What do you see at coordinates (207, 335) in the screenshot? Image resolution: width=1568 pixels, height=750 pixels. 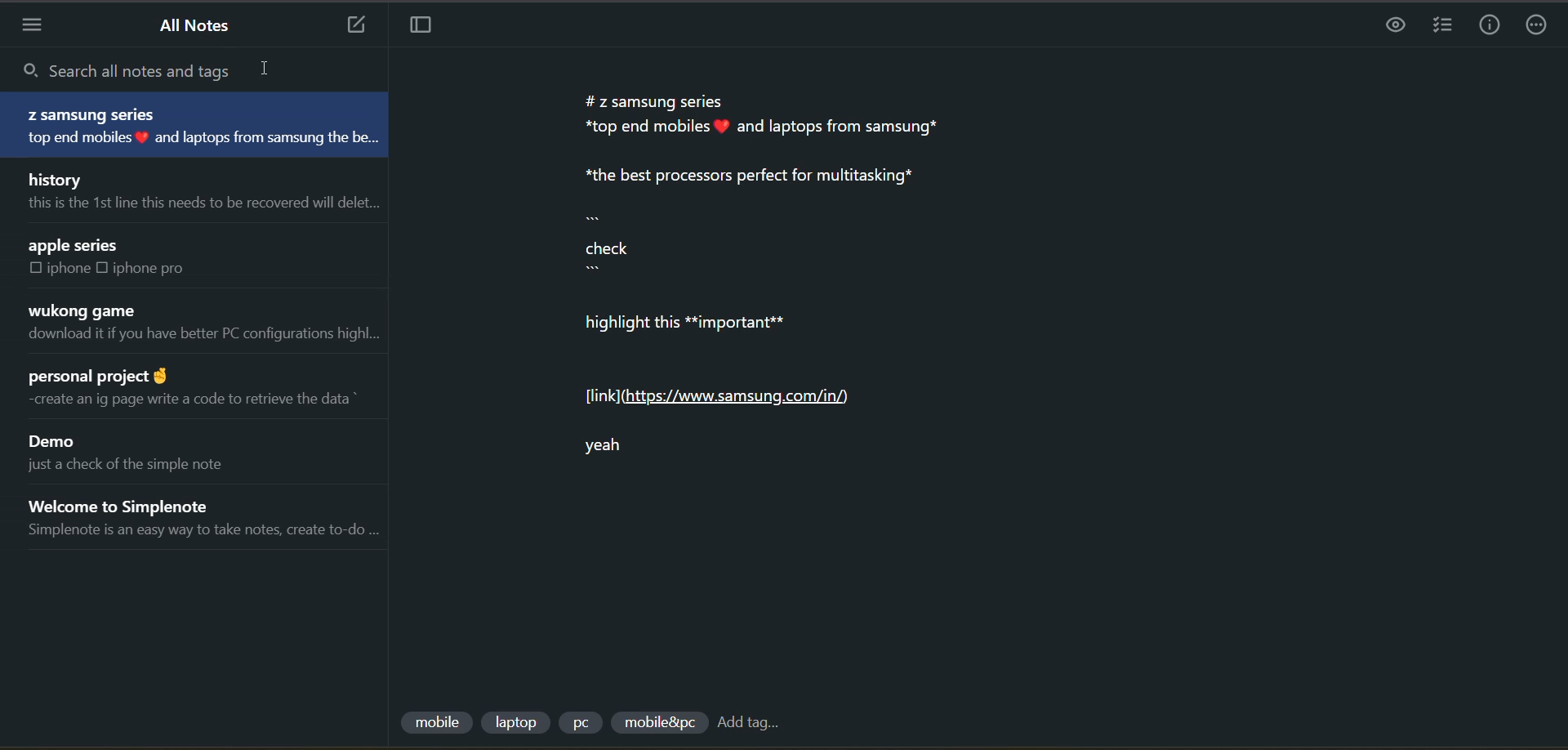 I see `download it if you have better PC configurations highl...` at bounding box center [207, 335].